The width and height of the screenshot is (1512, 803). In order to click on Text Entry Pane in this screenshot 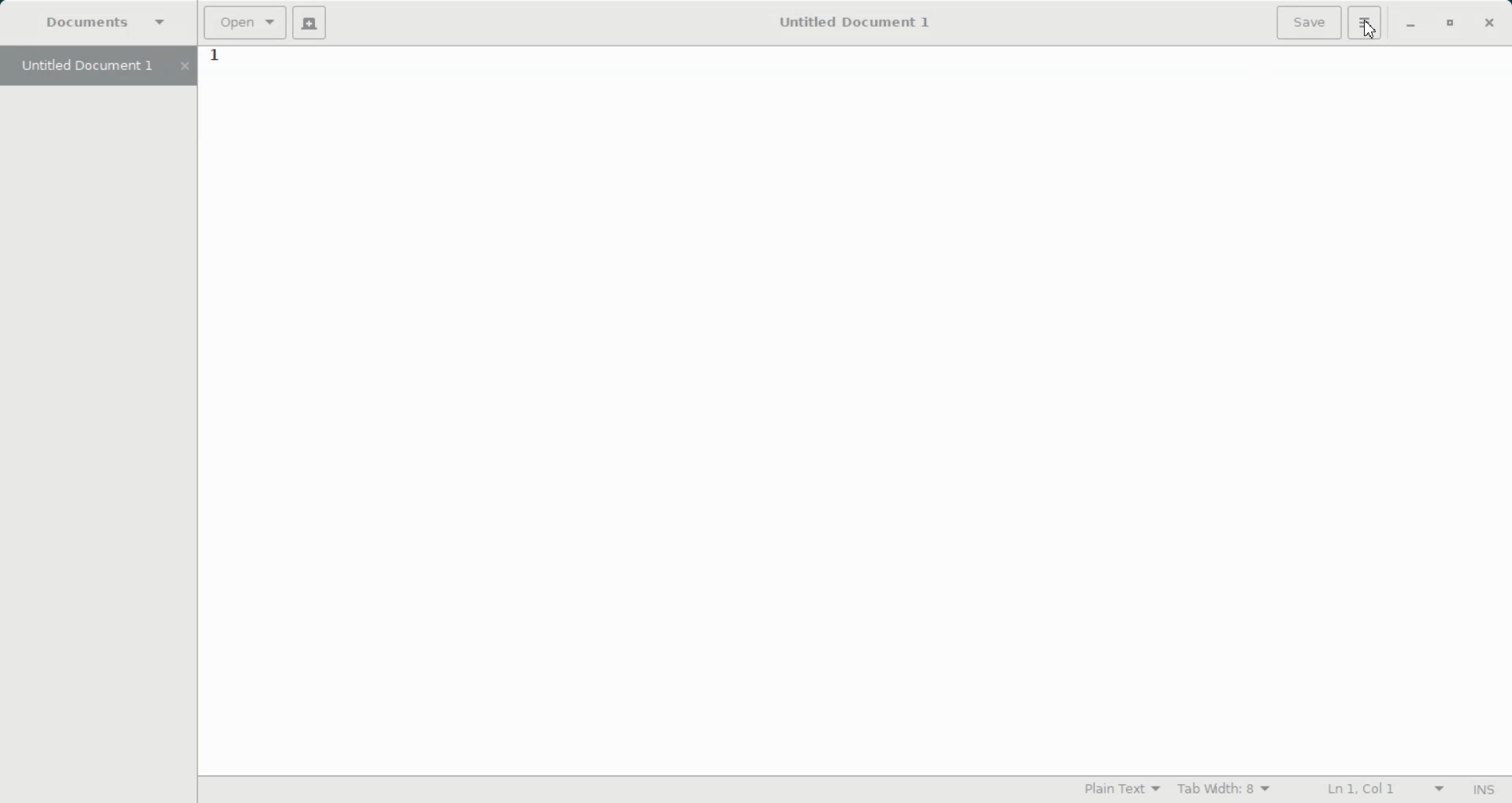, I will do `click(853, 409)`.